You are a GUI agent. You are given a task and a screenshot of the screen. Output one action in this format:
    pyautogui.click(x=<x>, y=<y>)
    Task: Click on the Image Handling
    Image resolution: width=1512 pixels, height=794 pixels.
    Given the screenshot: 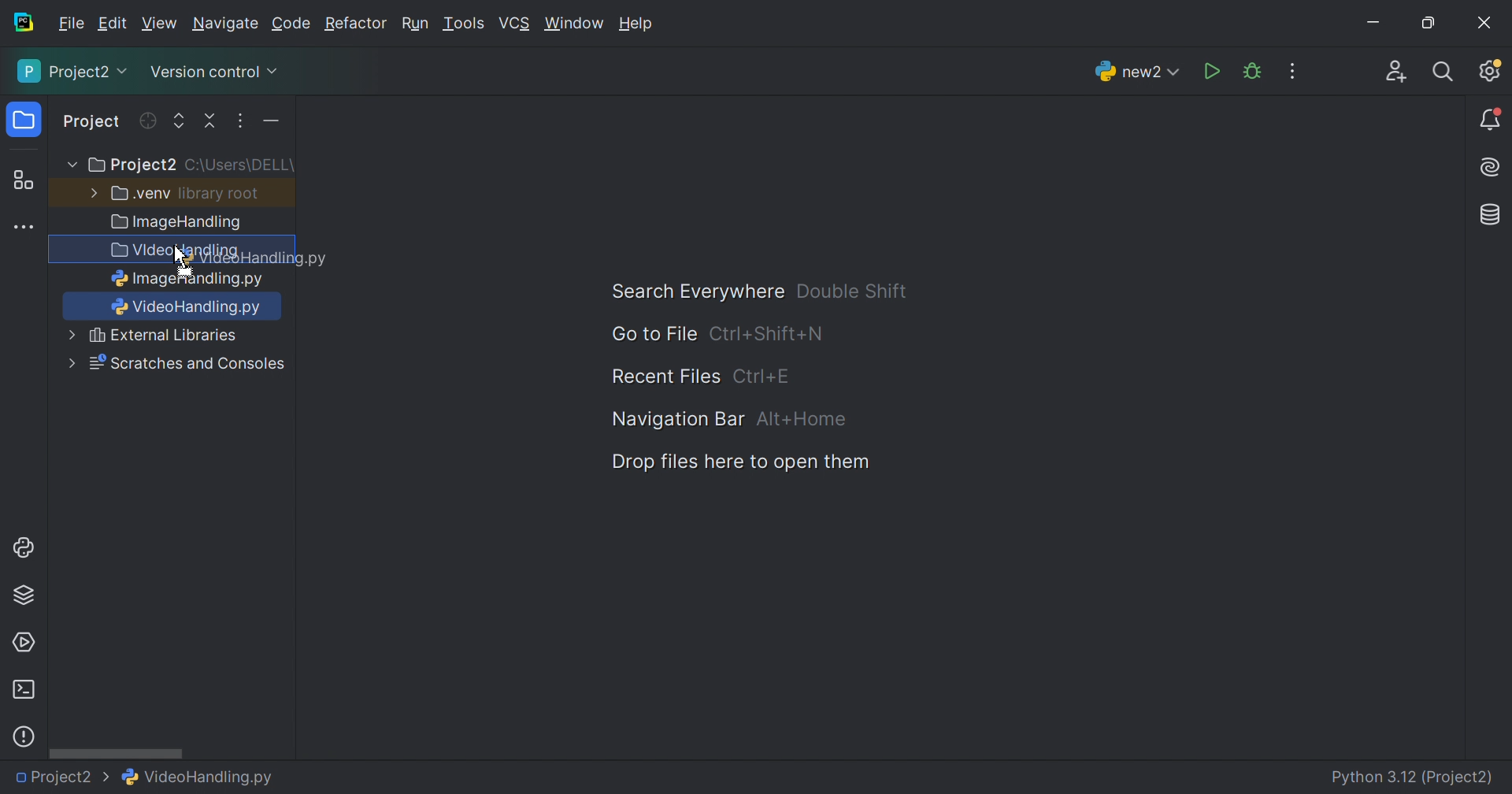 What is the action you would take?
    pyautogui.click(x=177, y=224)
    